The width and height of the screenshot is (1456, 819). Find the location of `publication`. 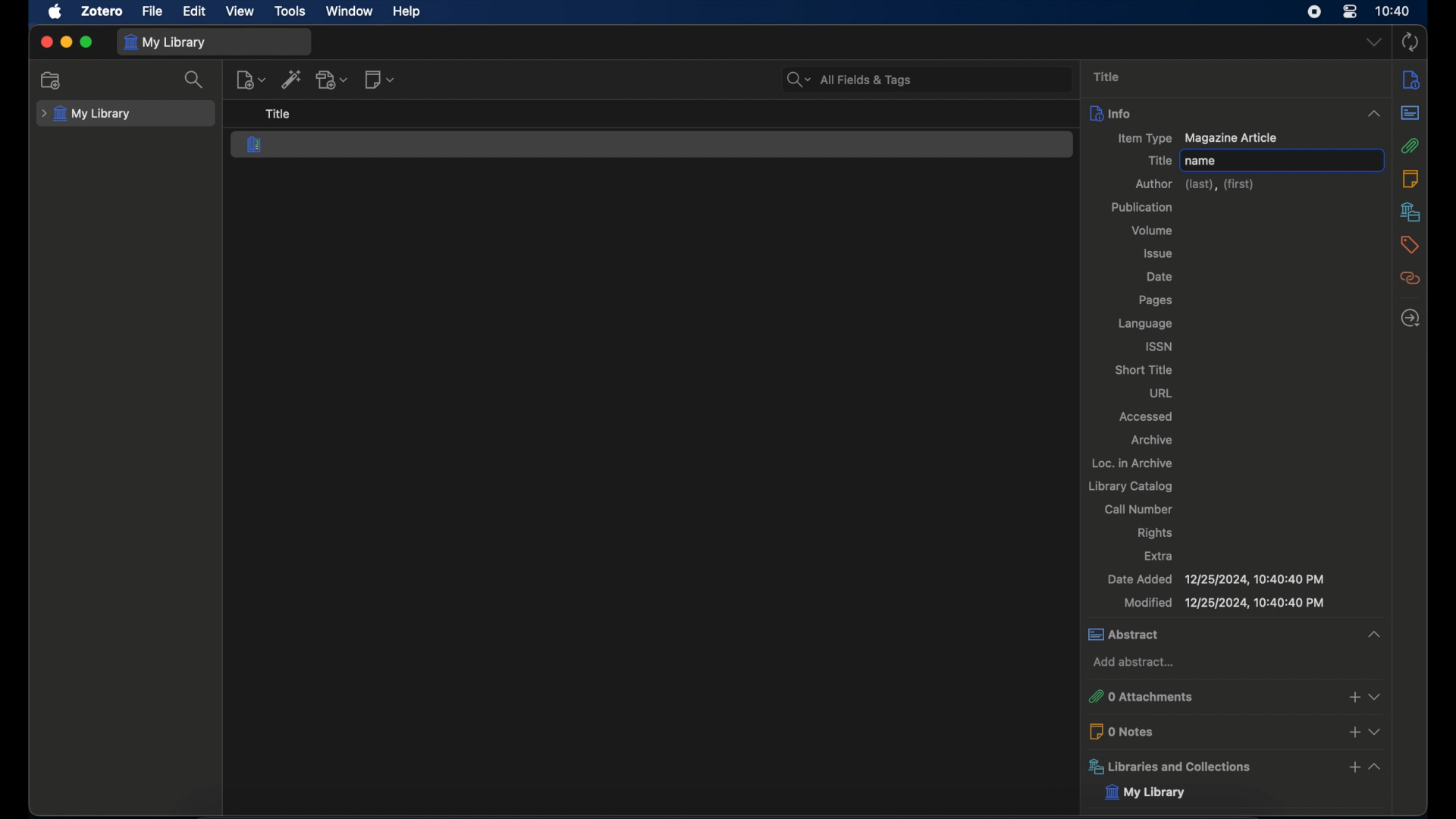

publication is located at coordinates (1143, 207).